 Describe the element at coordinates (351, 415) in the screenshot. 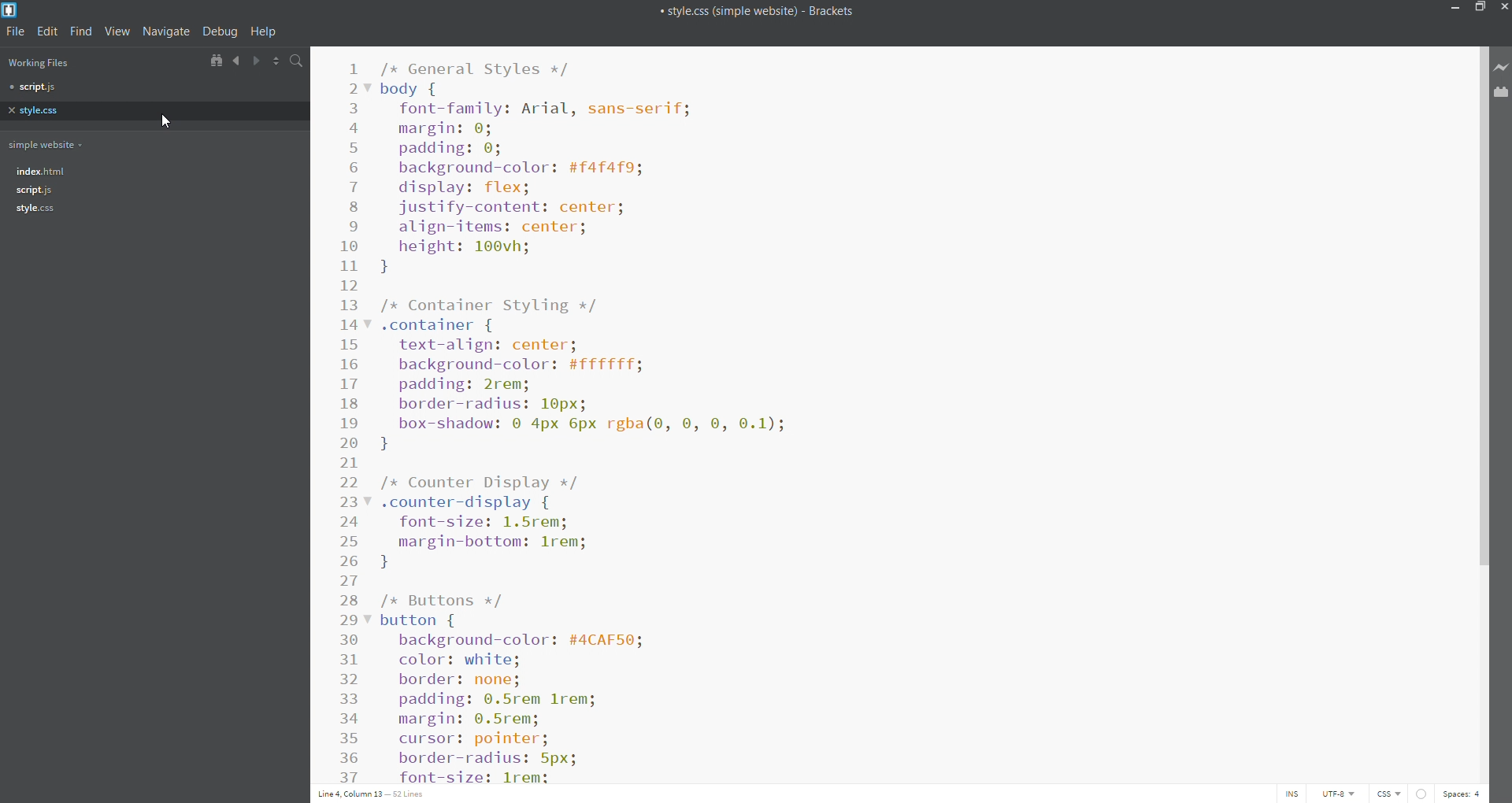

I see `line number` at that location.